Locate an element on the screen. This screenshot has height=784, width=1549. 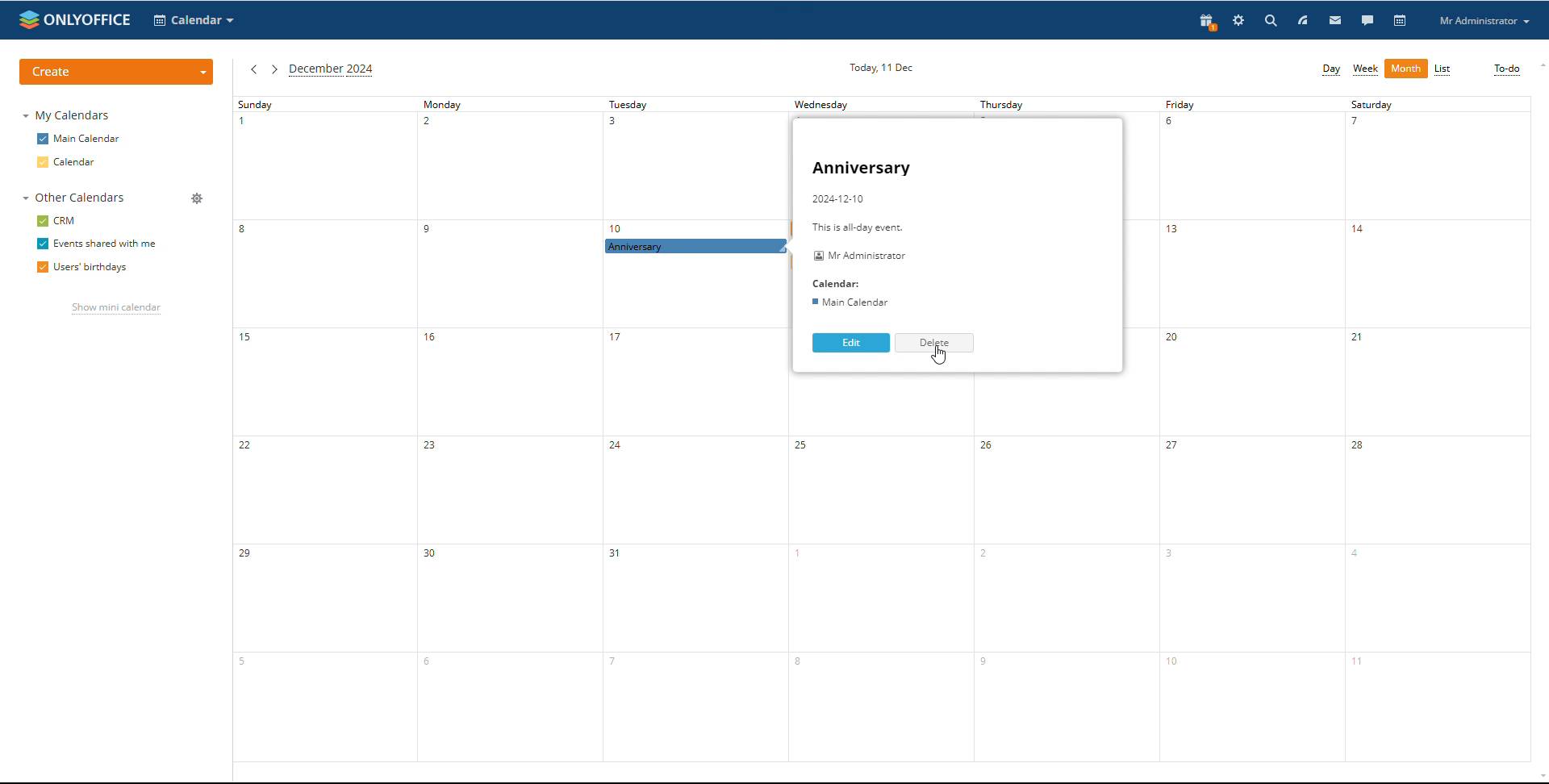
present is located at coordinates (1209, 23).